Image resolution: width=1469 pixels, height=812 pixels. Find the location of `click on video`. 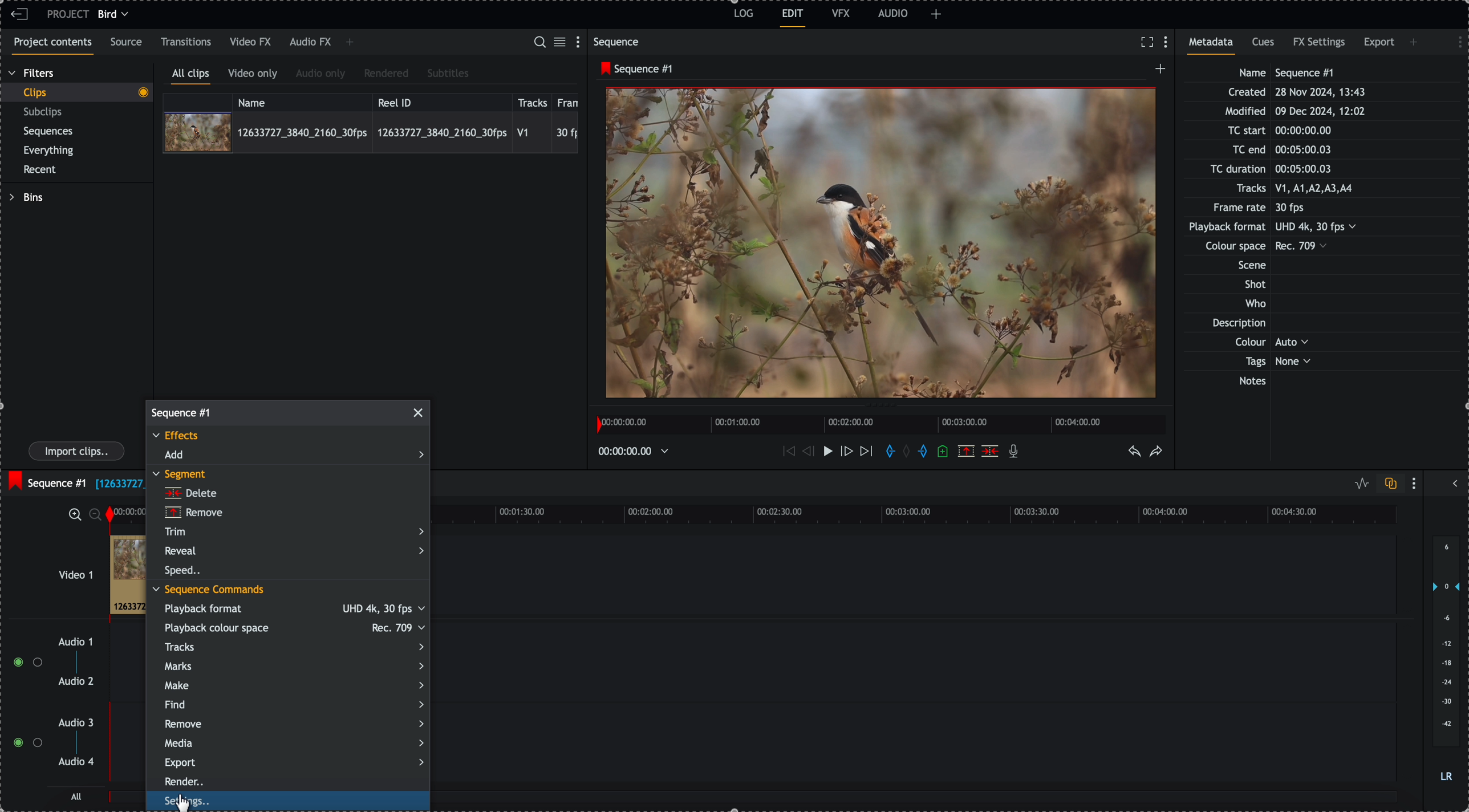

click on video is located at coordinates (371, 132).